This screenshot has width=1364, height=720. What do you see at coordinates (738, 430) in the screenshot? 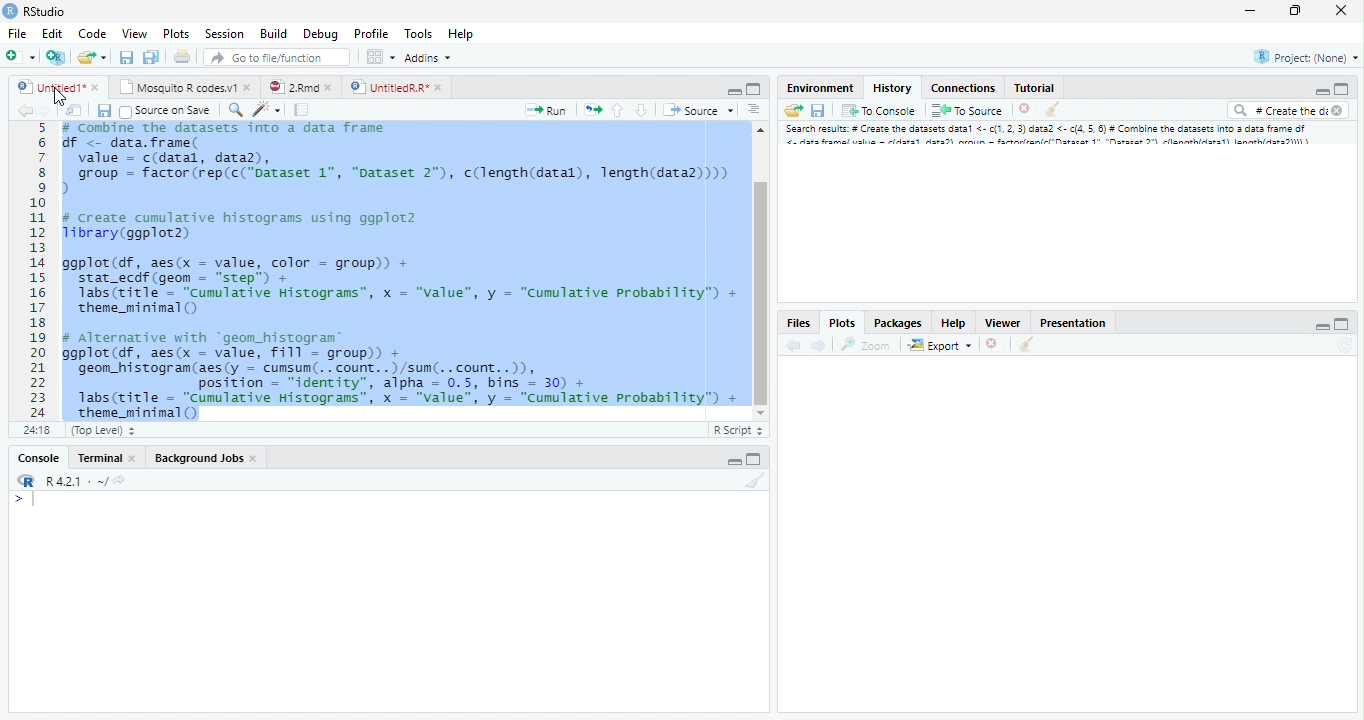
I see `R Script` at bounding box center [738, 430].